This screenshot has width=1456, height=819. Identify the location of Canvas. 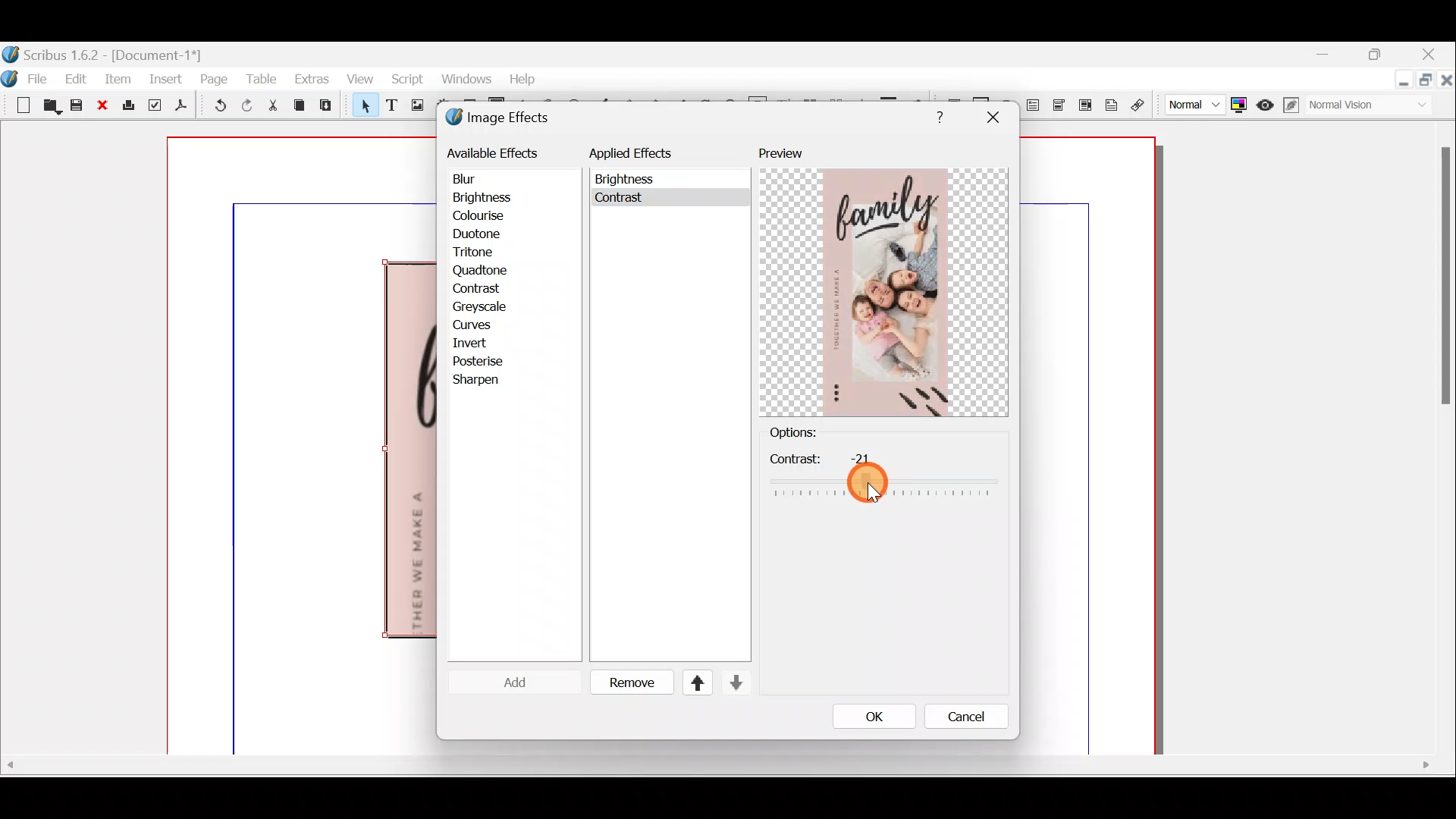
(303, 447).